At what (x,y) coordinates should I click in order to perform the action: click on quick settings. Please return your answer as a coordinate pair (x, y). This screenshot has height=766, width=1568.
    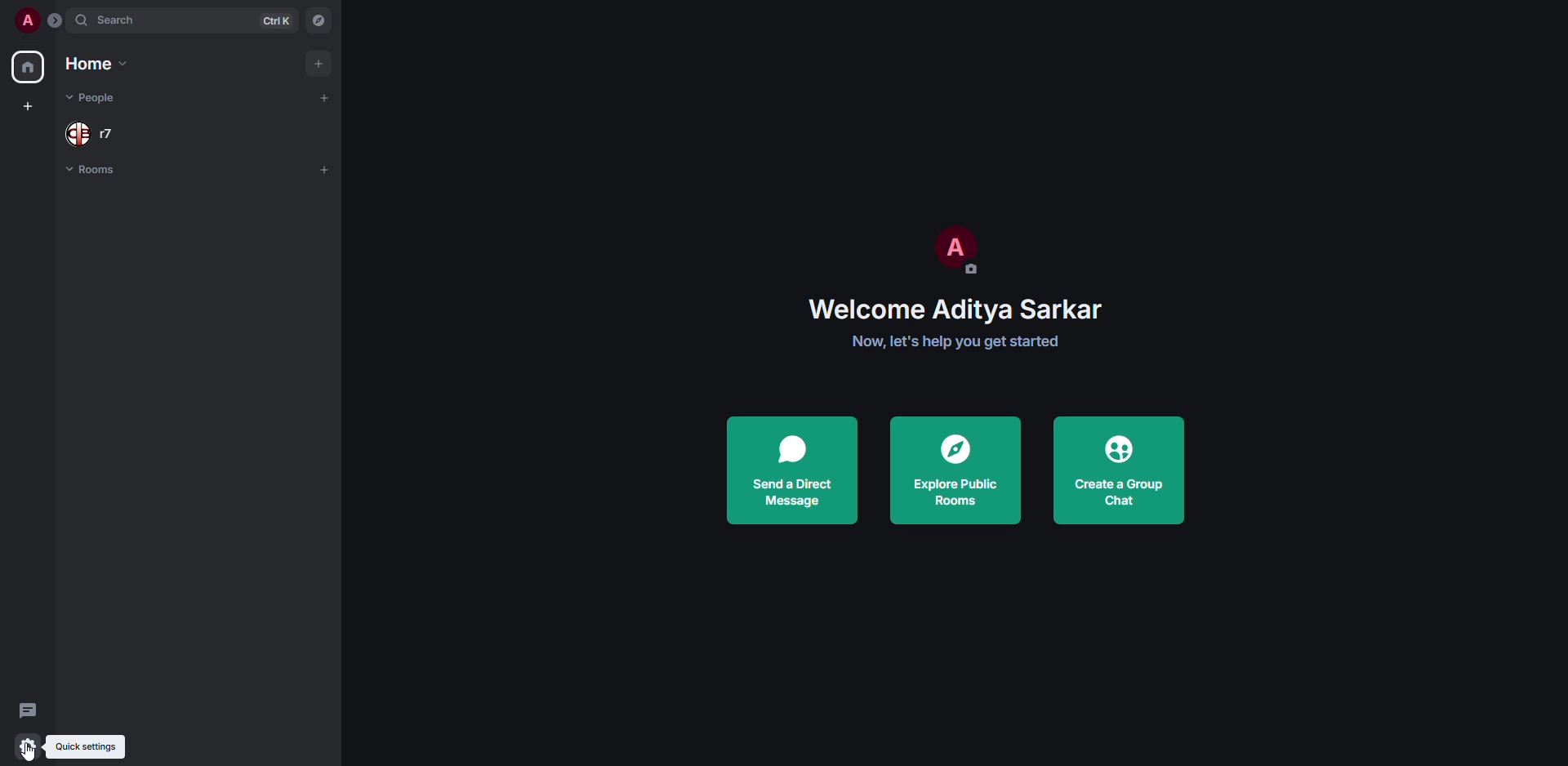
    Looking at the image, I should click on (86, 746).